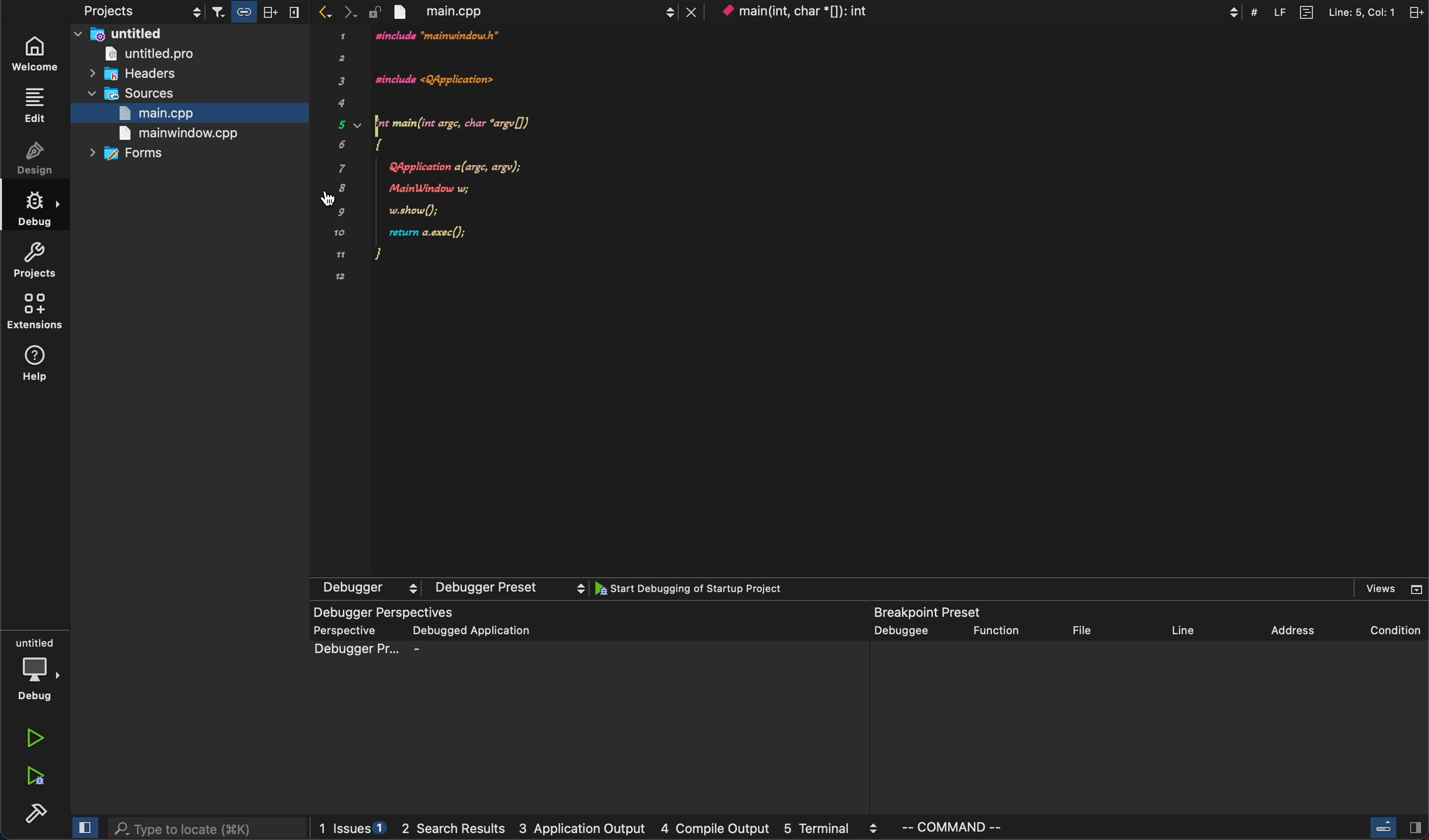  I want to click on terminal, so click(835, 830).